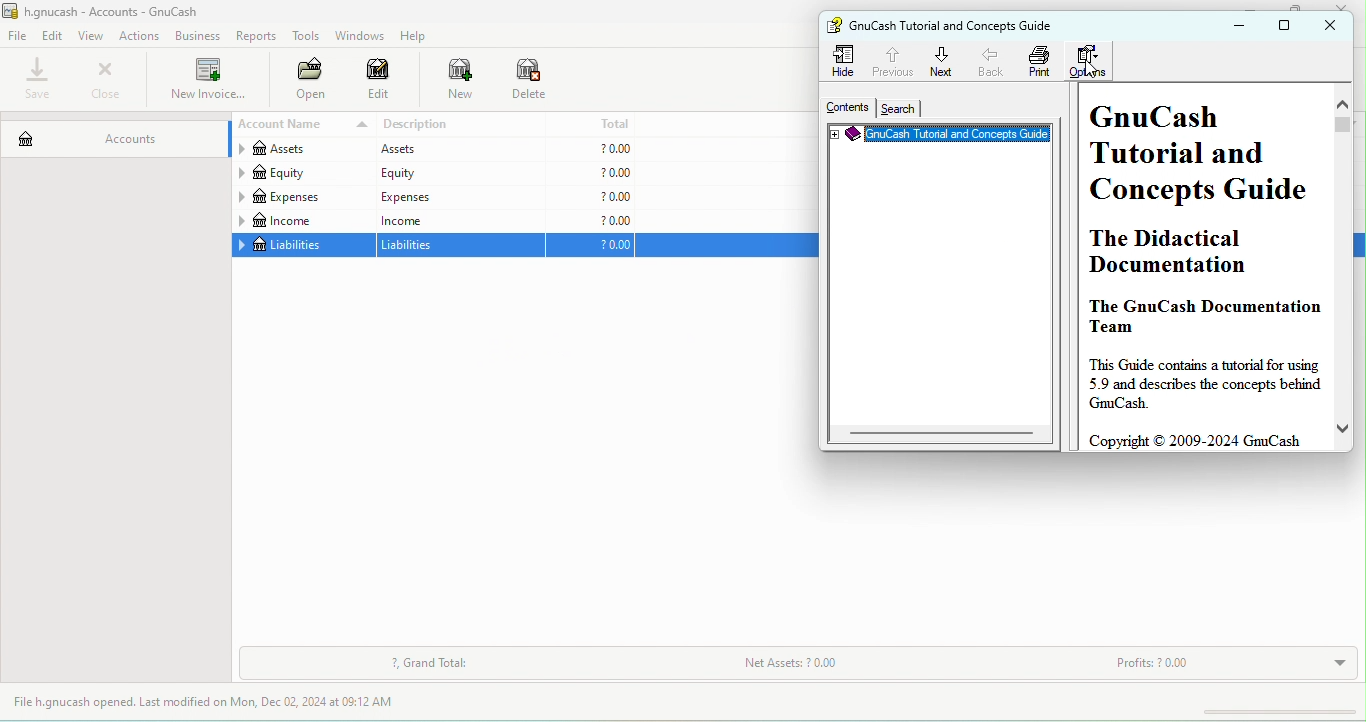  I want to click on ?0.00, so click(590, 148).